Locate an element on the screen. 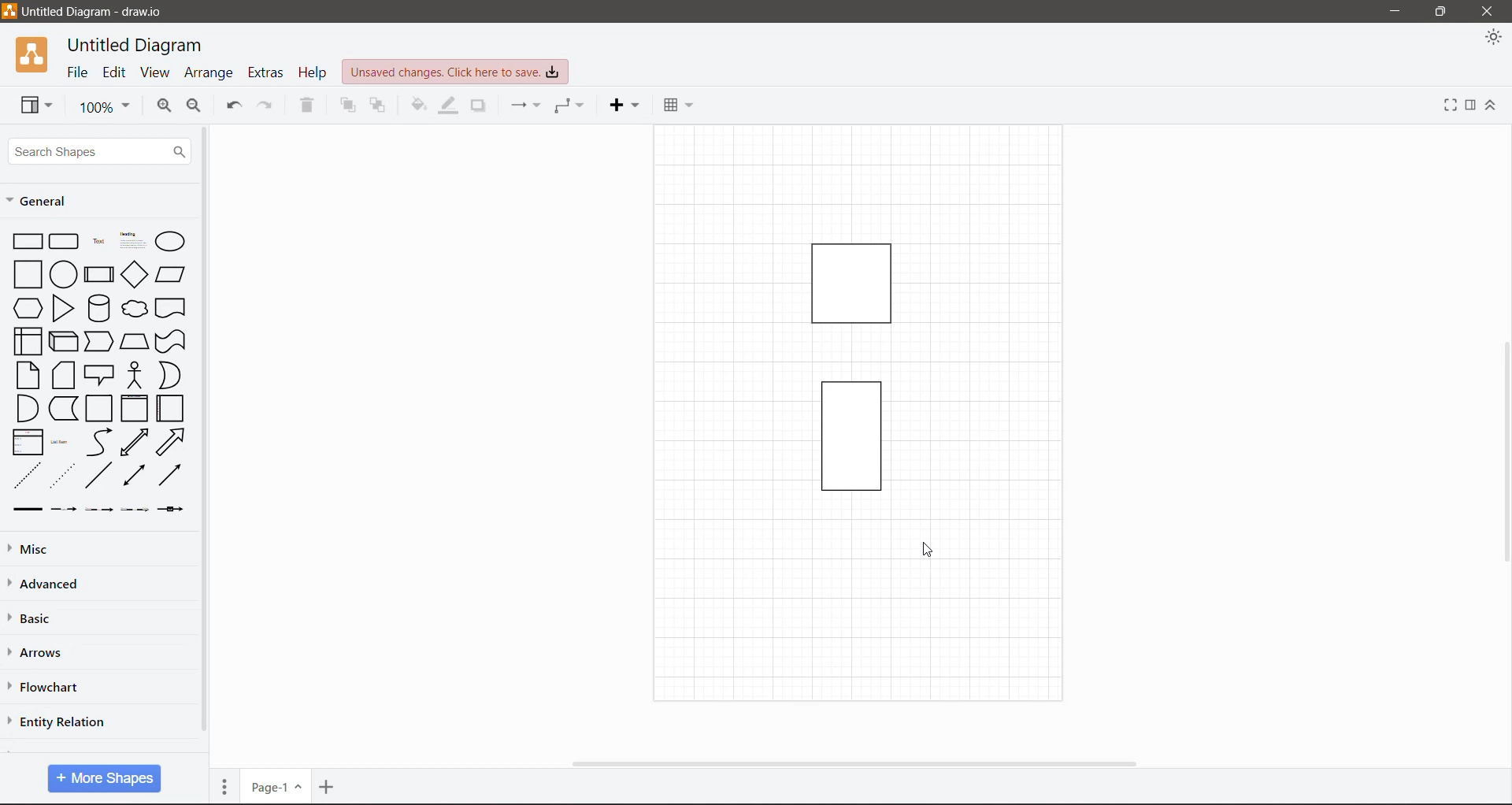 This screenshot has width=1512, height=805. Waypoints is located at coordinates (569, 107).